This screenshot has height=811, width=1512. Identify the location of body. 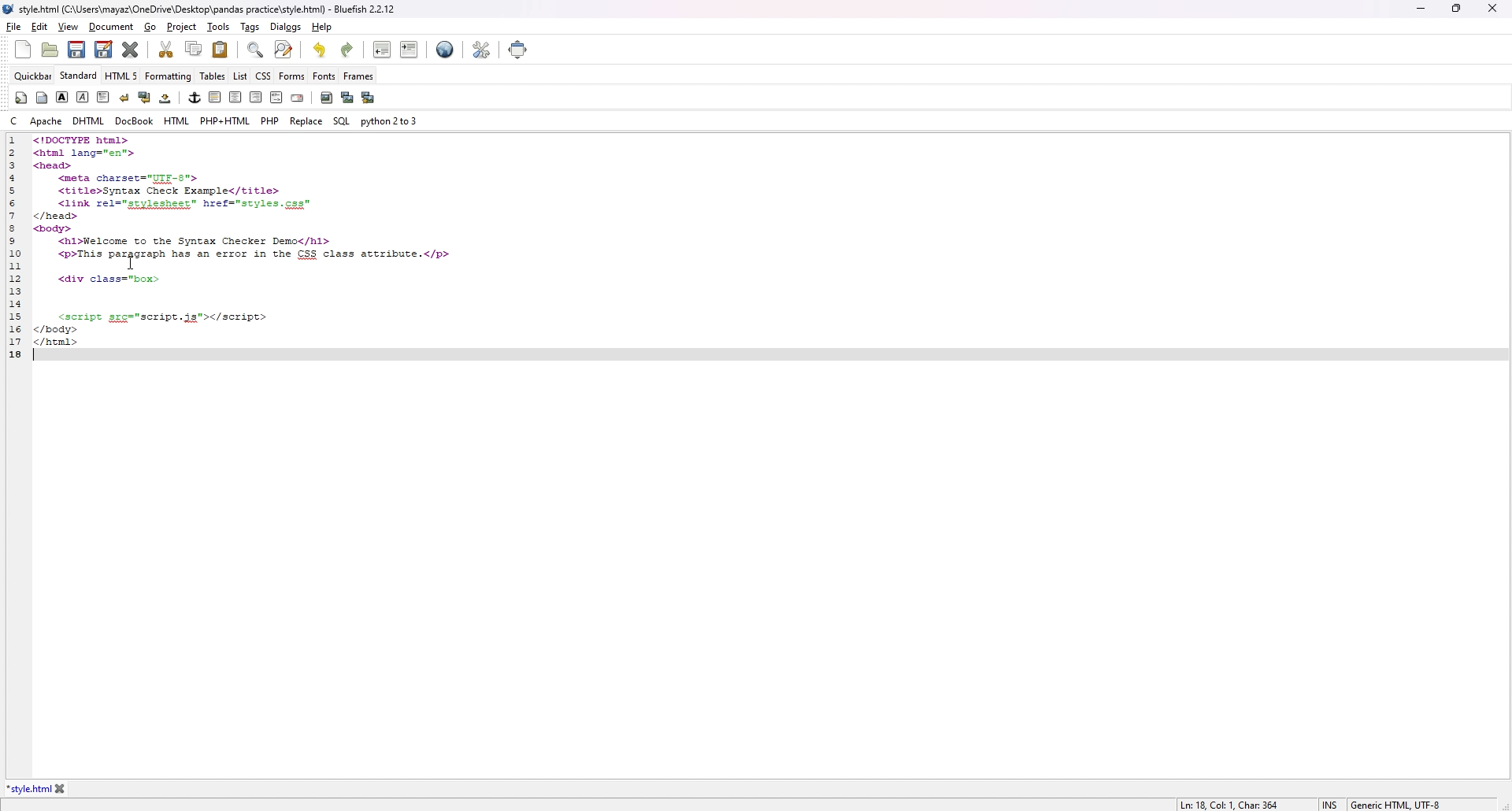
(42, 98).